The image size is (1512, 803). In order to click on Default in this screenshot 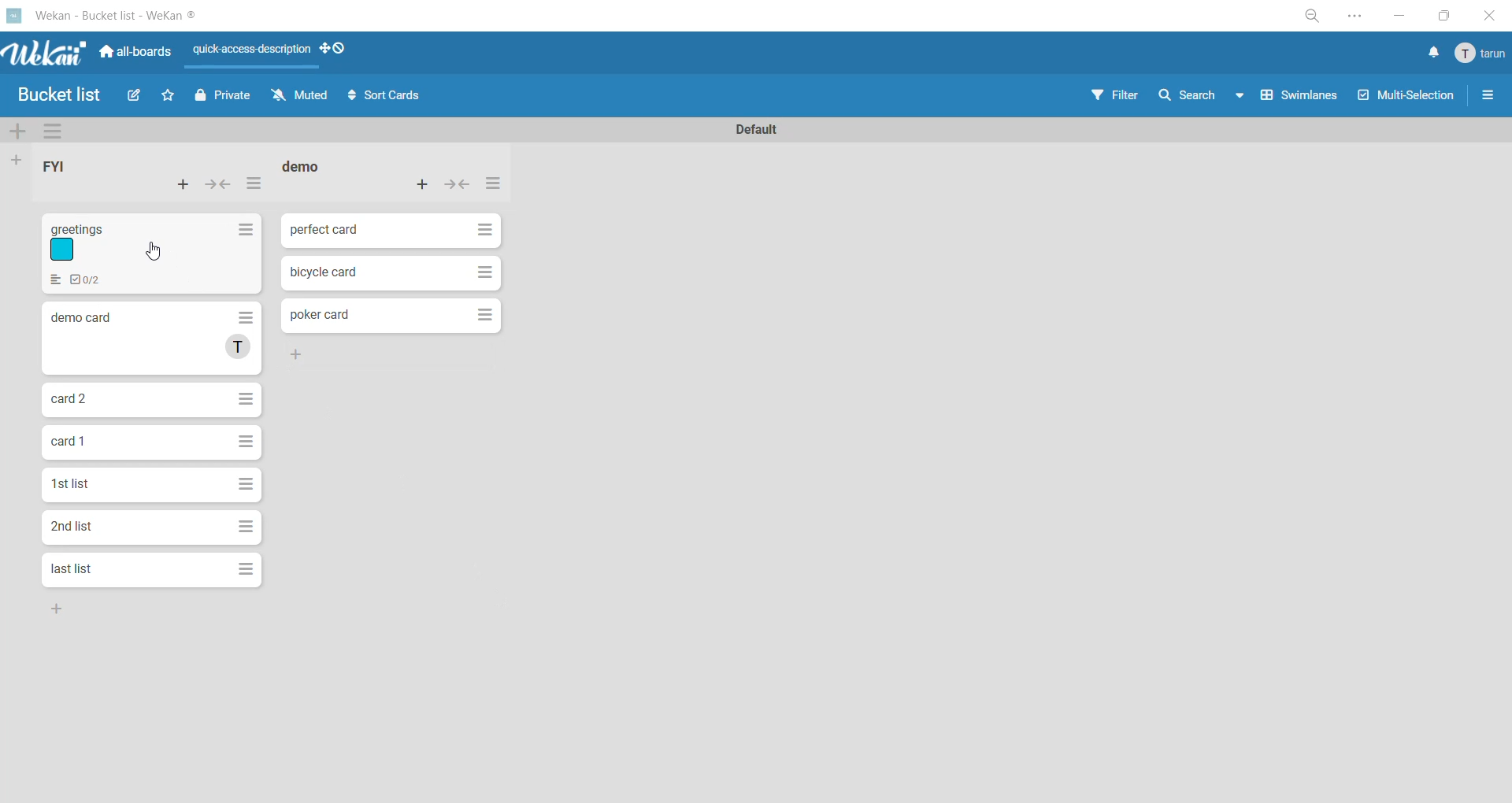, I will do `click(762, 128)`.